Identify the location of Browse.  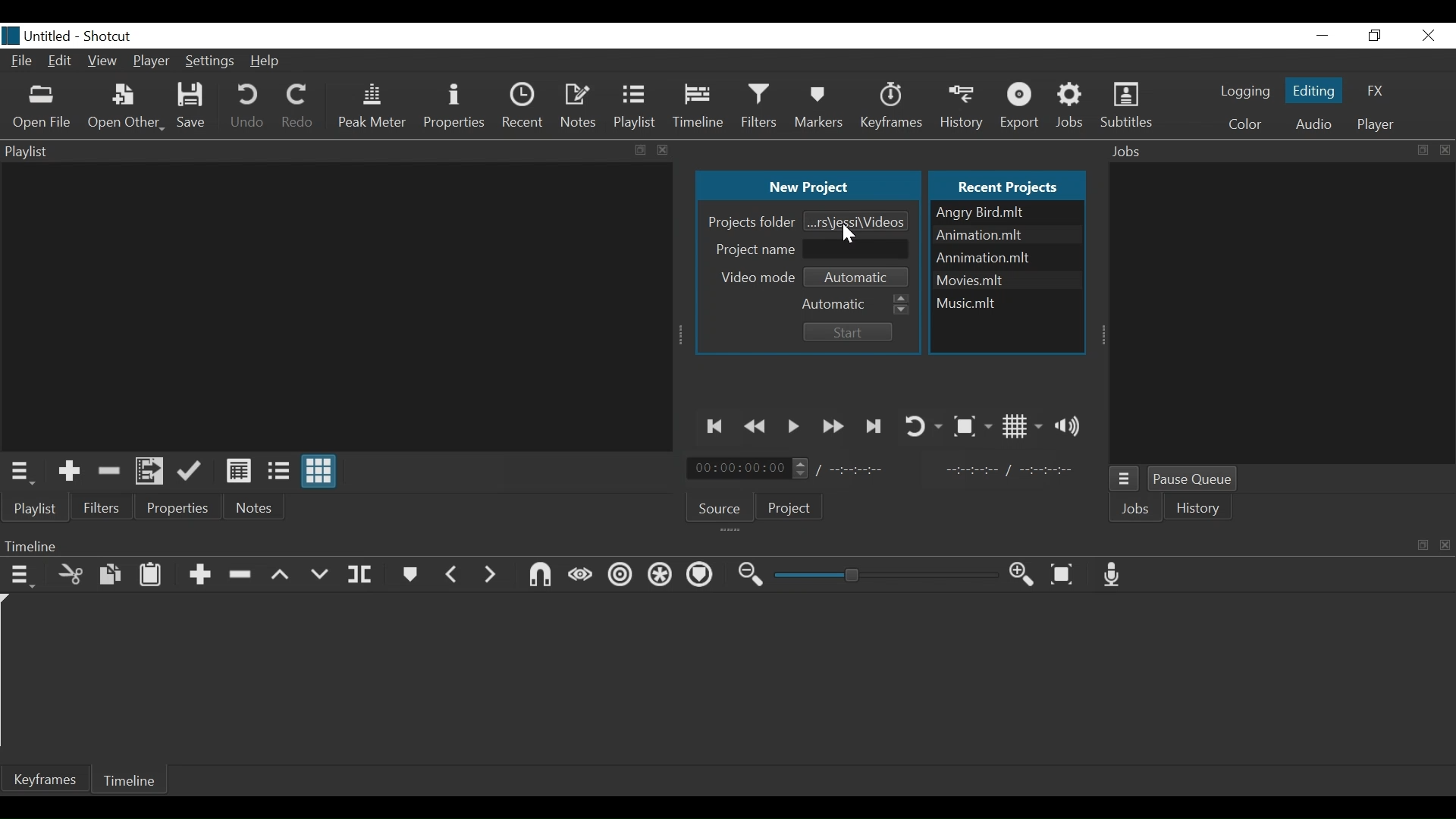
(857, 220).